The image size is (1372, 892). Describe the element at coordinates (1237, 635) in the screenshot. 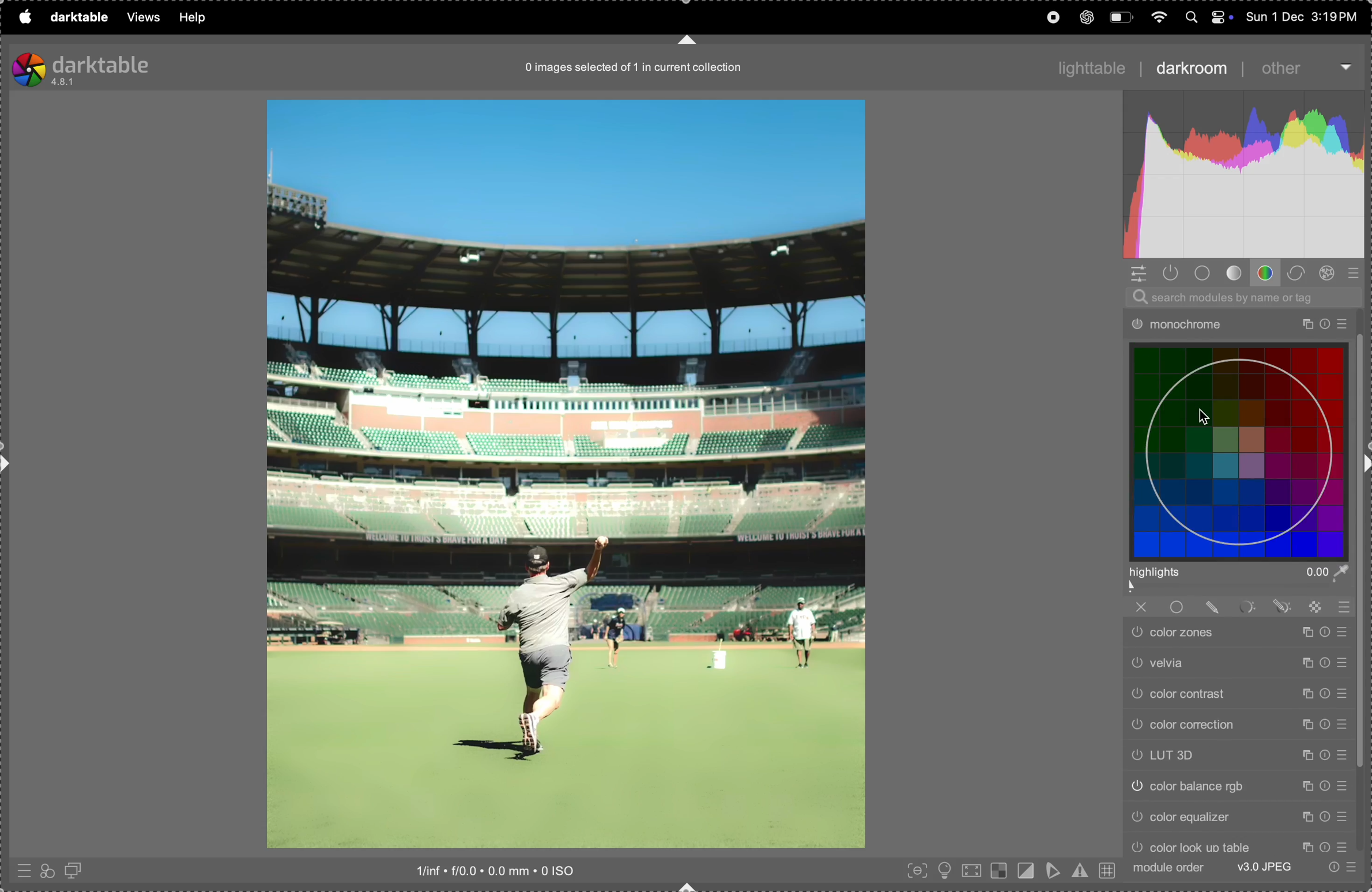

I see `color zones` at that location.